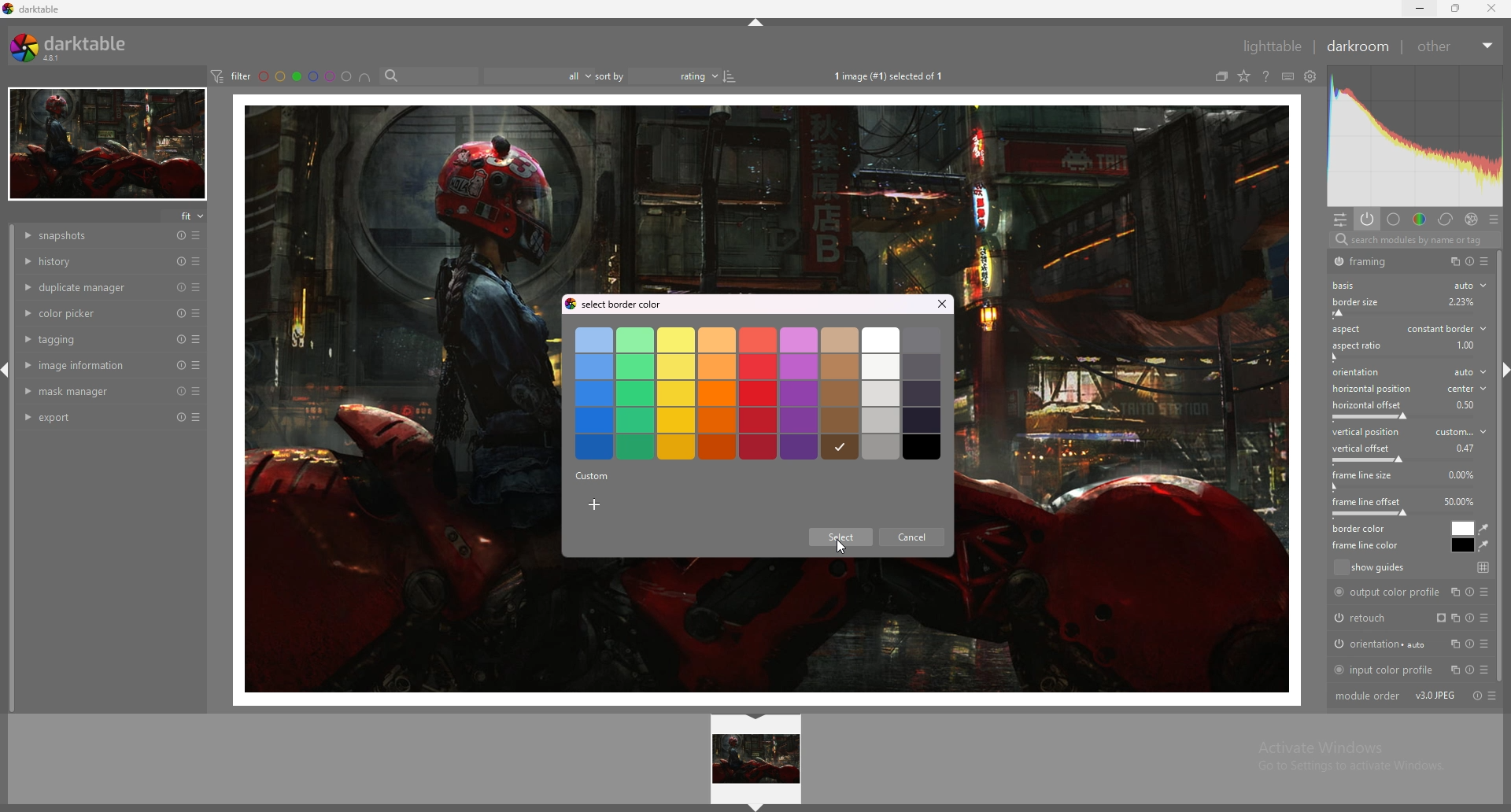 This screenshot has width=1511, height=812. What do you see at coordinates (1364, 448) in the screenshot?
I see `vertical offset` at bounding box center [1364, 448].